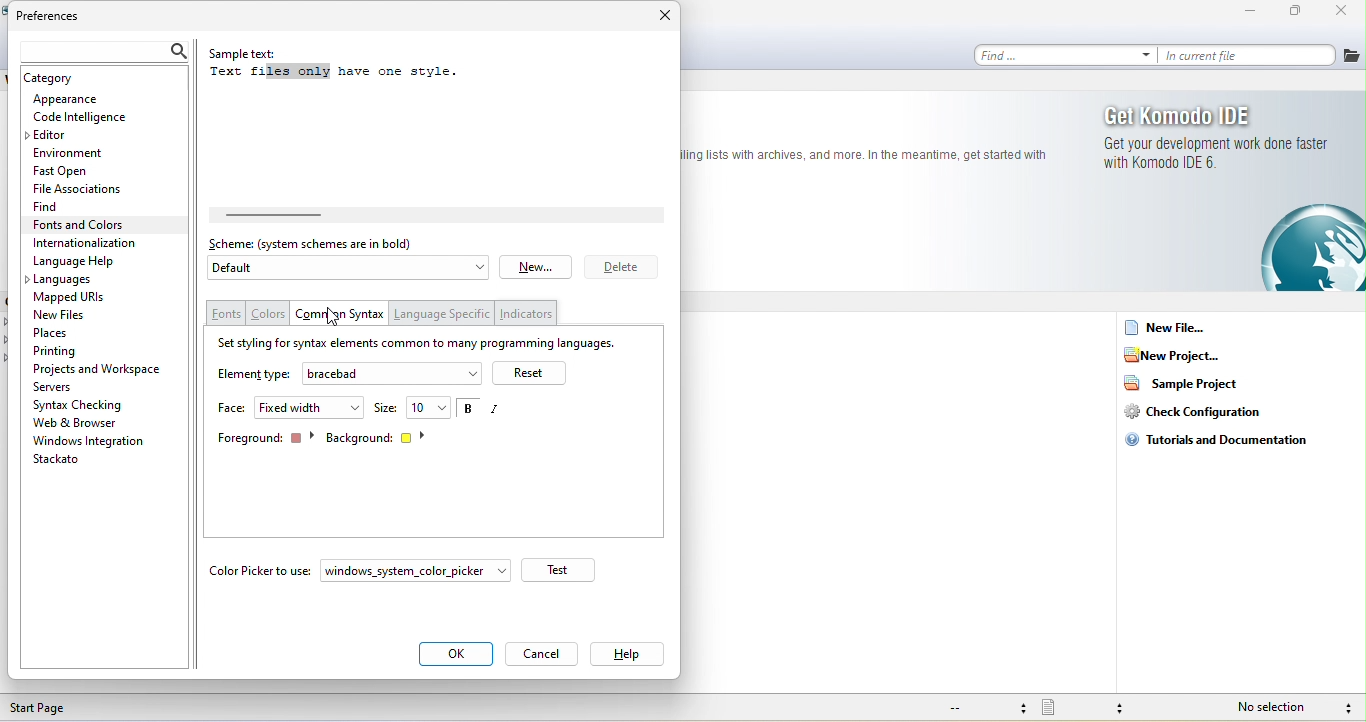 Image resolution: width=1366 pixels, height=722 pixels. What do you see at coordinates (226, 313) in the screenshot?
I see `fonts` at bounding box center [226, 313].